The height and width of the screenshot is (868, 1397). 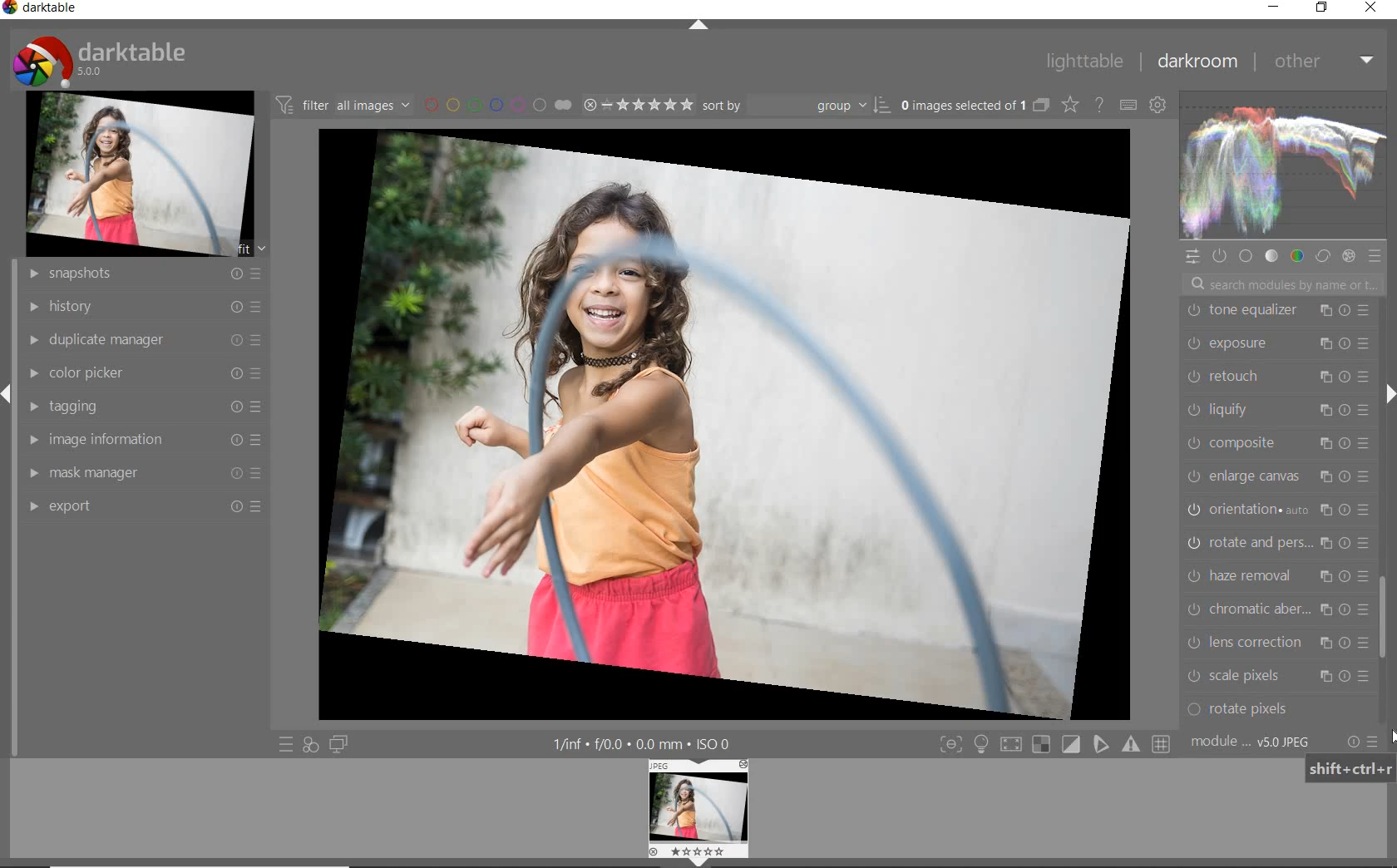 I want to click on image preview, so click(x=701, y=813).